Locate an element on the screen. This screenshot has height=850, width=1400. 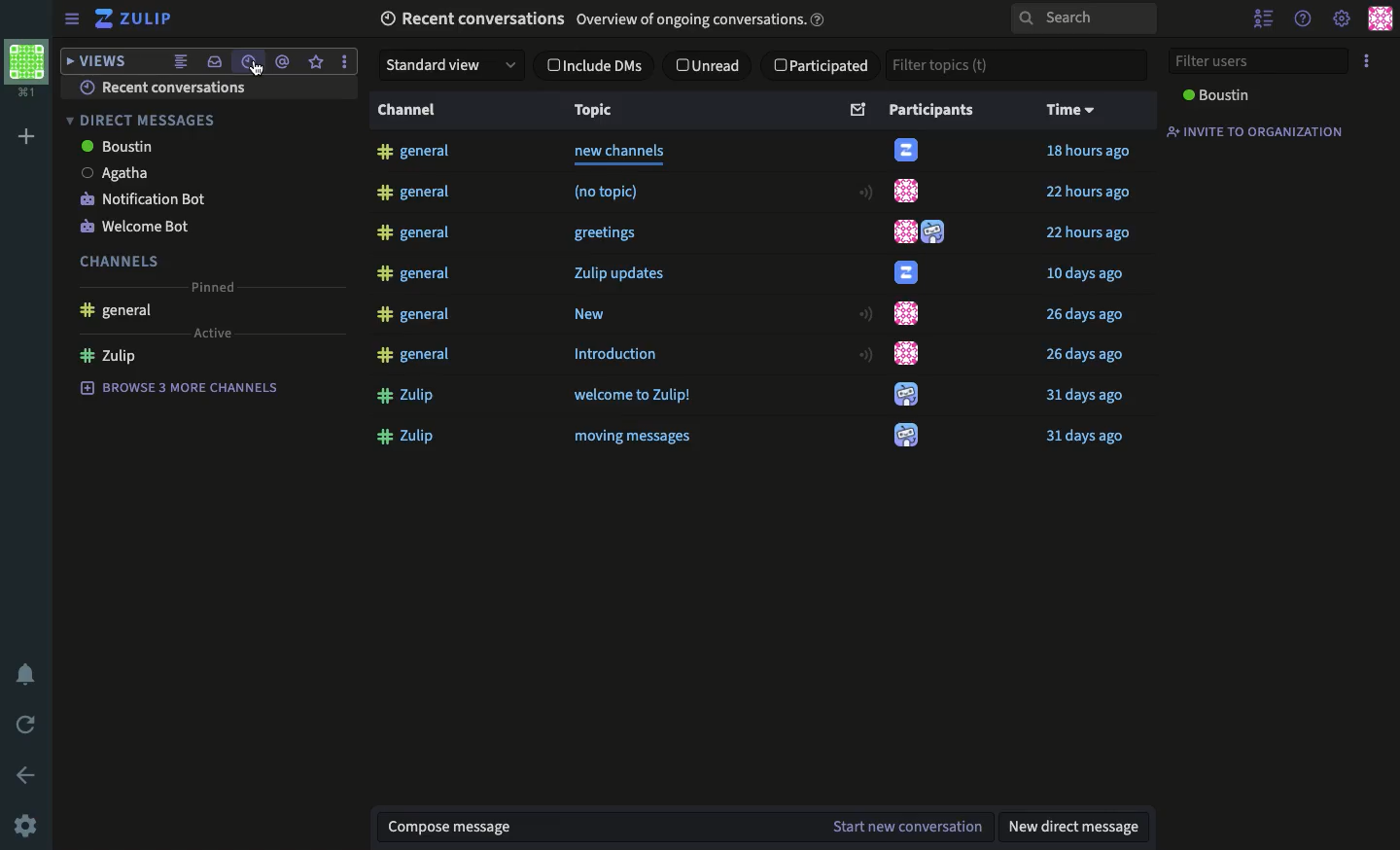
new is located at coordinates (601, 316).